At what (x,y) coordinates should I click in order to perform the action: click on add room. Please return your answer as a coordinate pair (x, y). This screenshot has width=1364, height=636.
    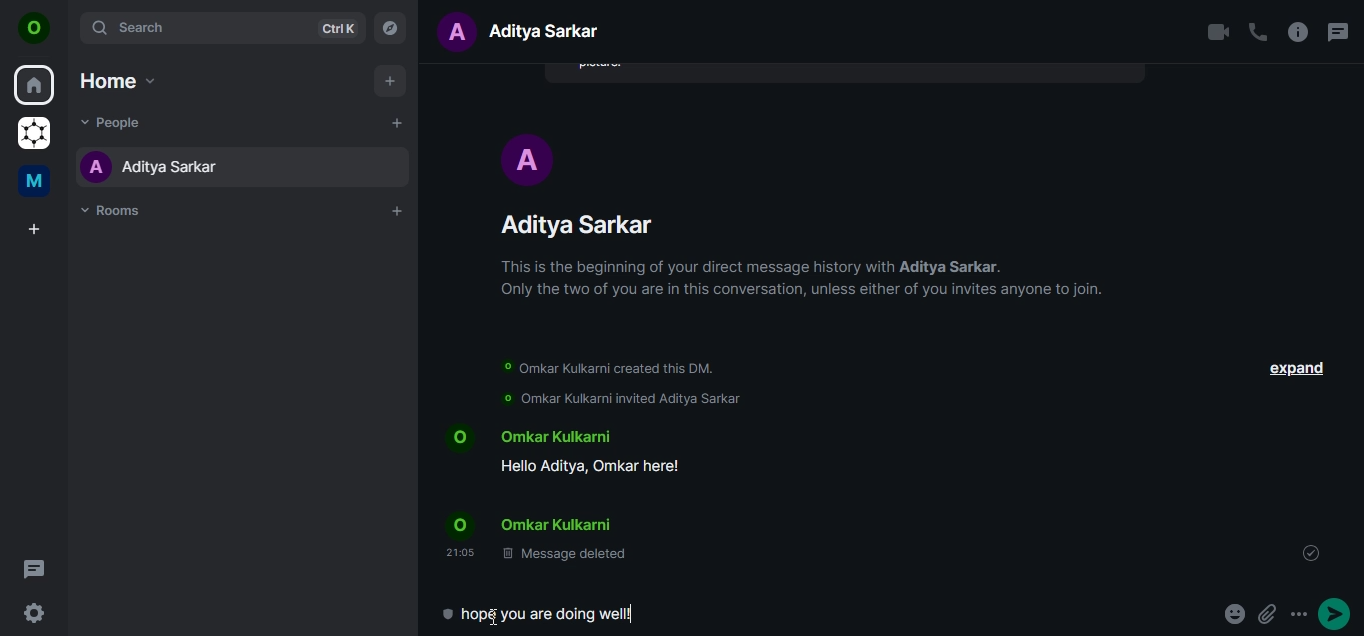
    Looking at the image, I should click on (396, 211).